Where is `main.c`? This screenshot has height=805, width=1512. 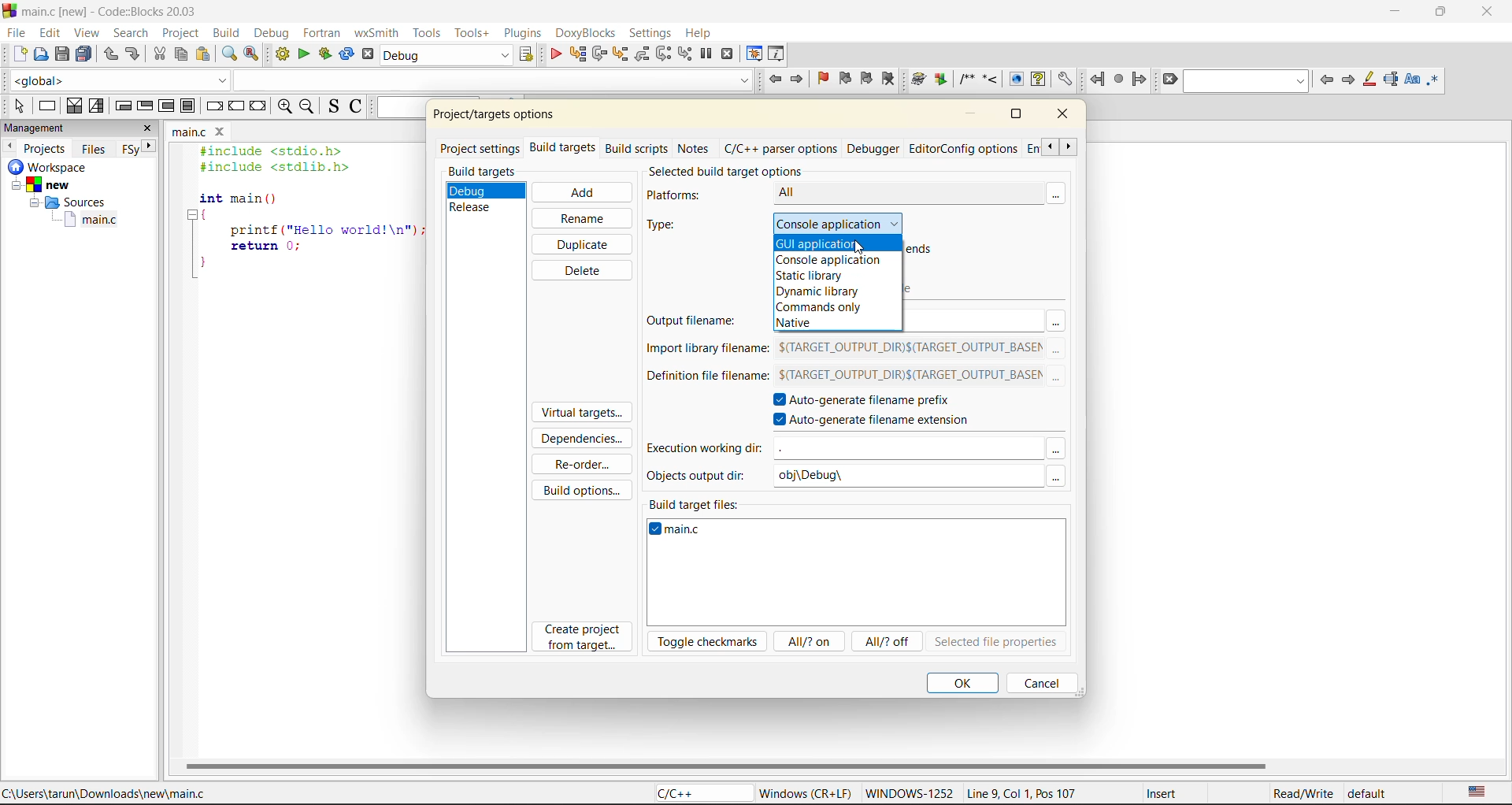 main.c is located at coordinates (675, 529).